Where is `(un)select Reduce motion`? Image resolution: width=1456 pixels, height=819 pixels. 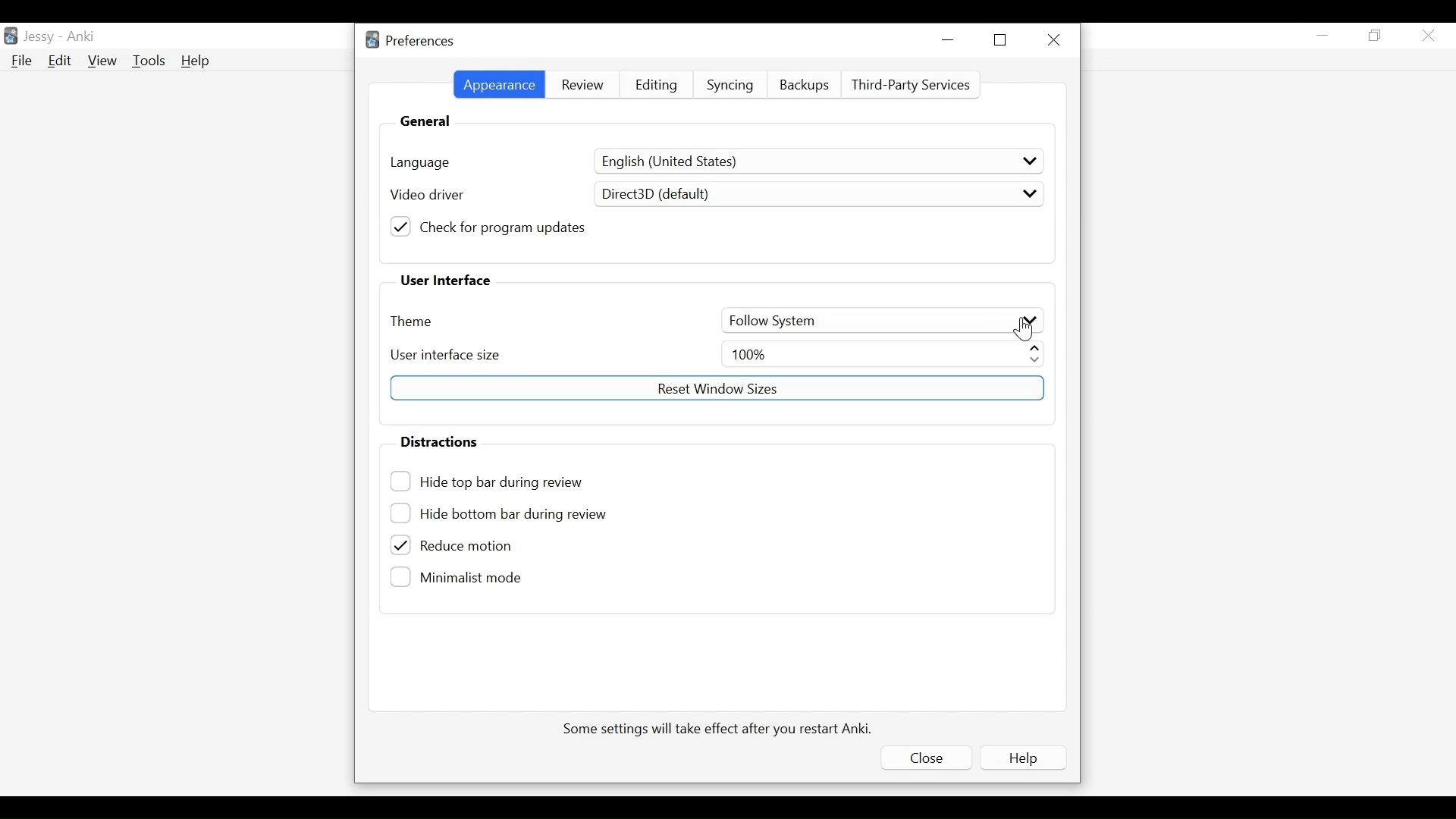 (un)select Reduce motion is located at coordinates (475, 546).